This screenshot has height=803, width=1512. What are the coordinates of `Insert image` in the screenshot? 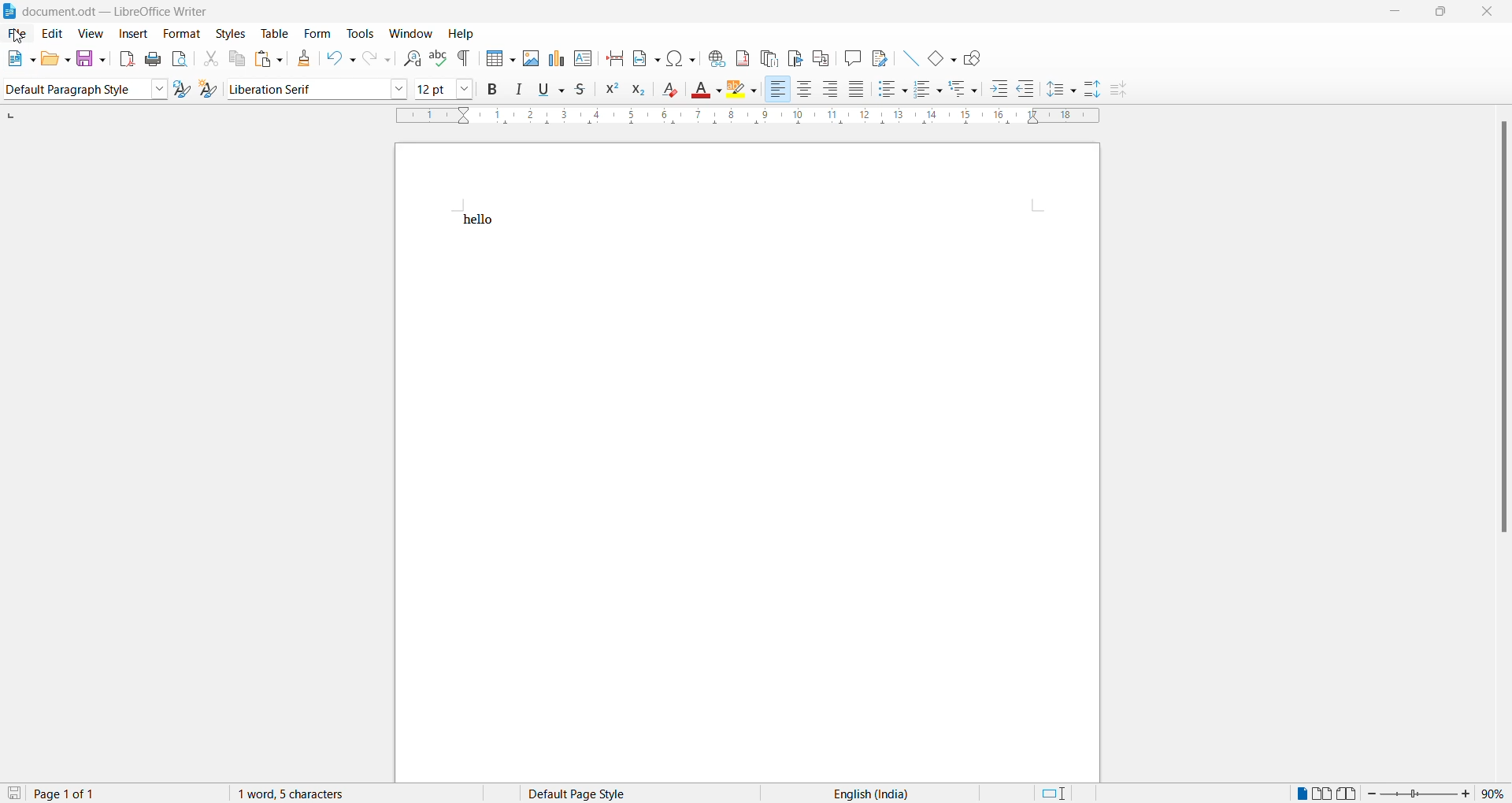 It's located at (528, 58).